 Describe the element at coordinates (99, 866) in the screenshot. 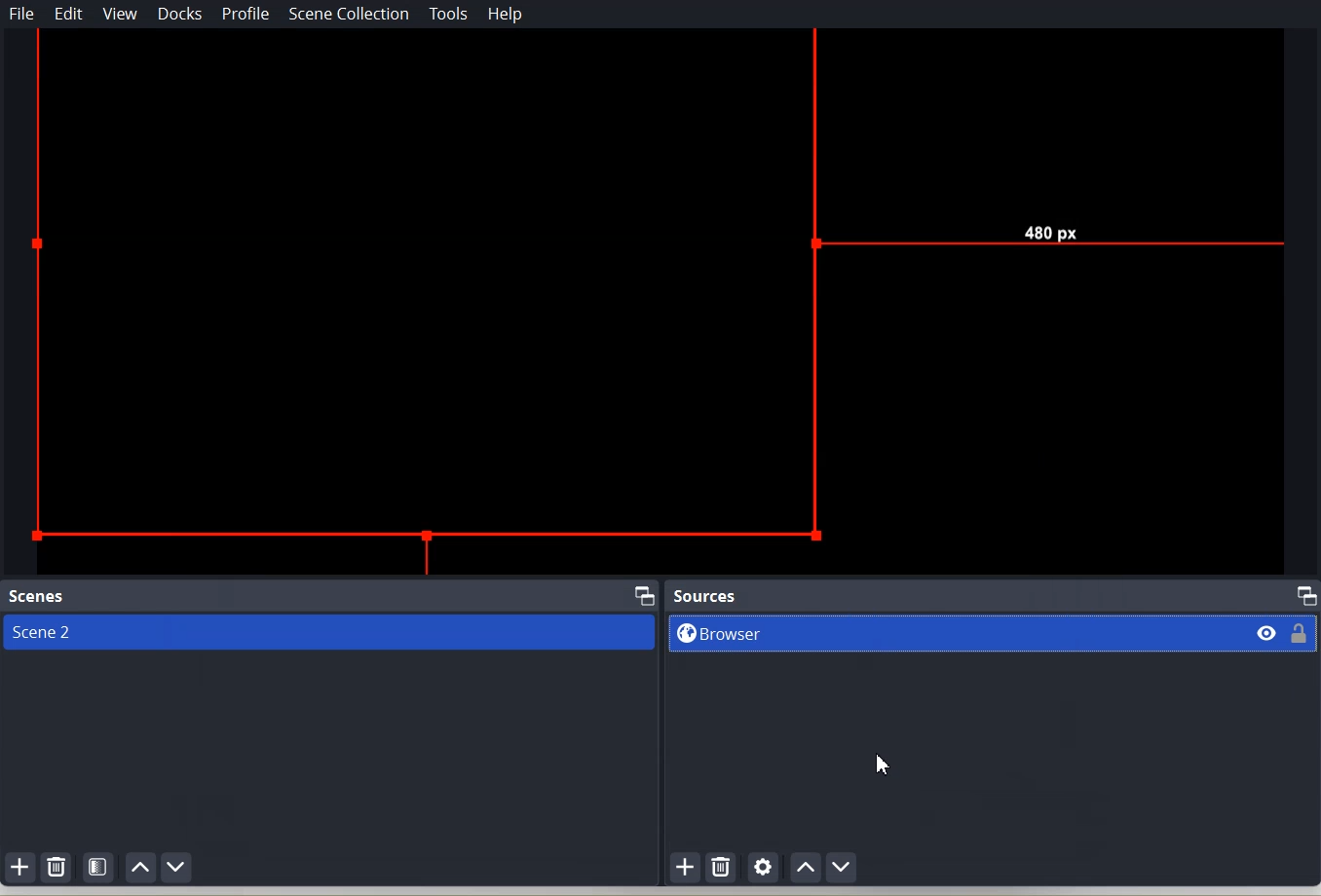

I see `Open Scene Filter` at that location.